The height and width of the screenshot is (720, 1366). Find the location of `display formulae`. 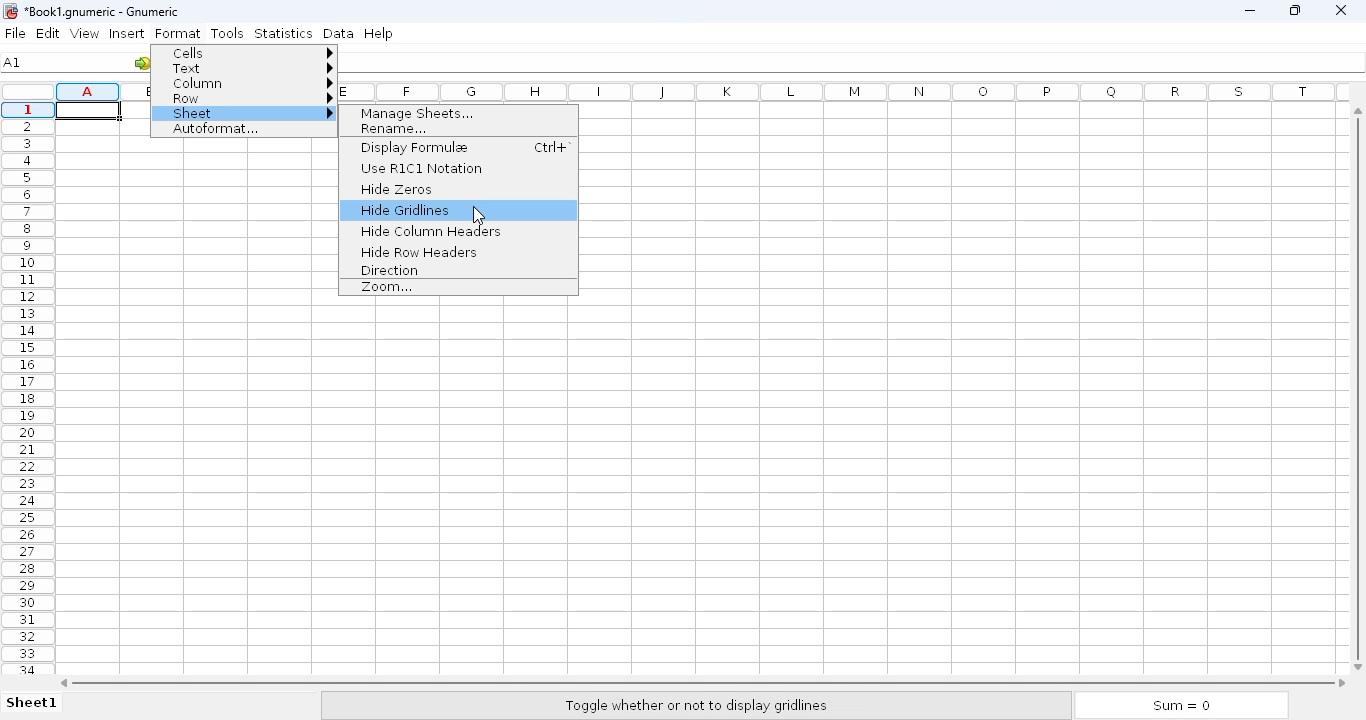

display formulae is located at coordinates (414, 147).